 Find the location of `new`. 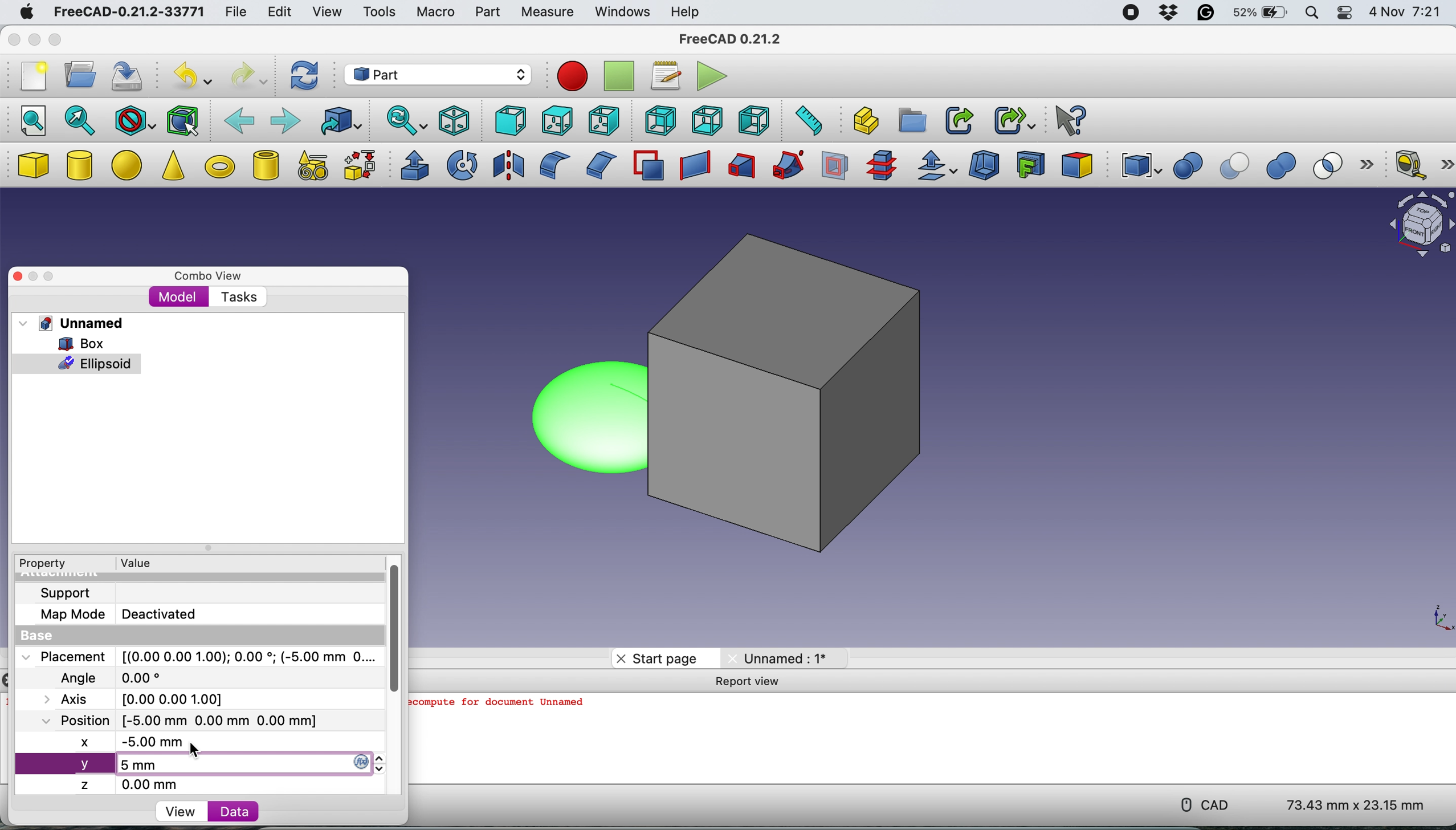

new is located at coordinates (31, 79).